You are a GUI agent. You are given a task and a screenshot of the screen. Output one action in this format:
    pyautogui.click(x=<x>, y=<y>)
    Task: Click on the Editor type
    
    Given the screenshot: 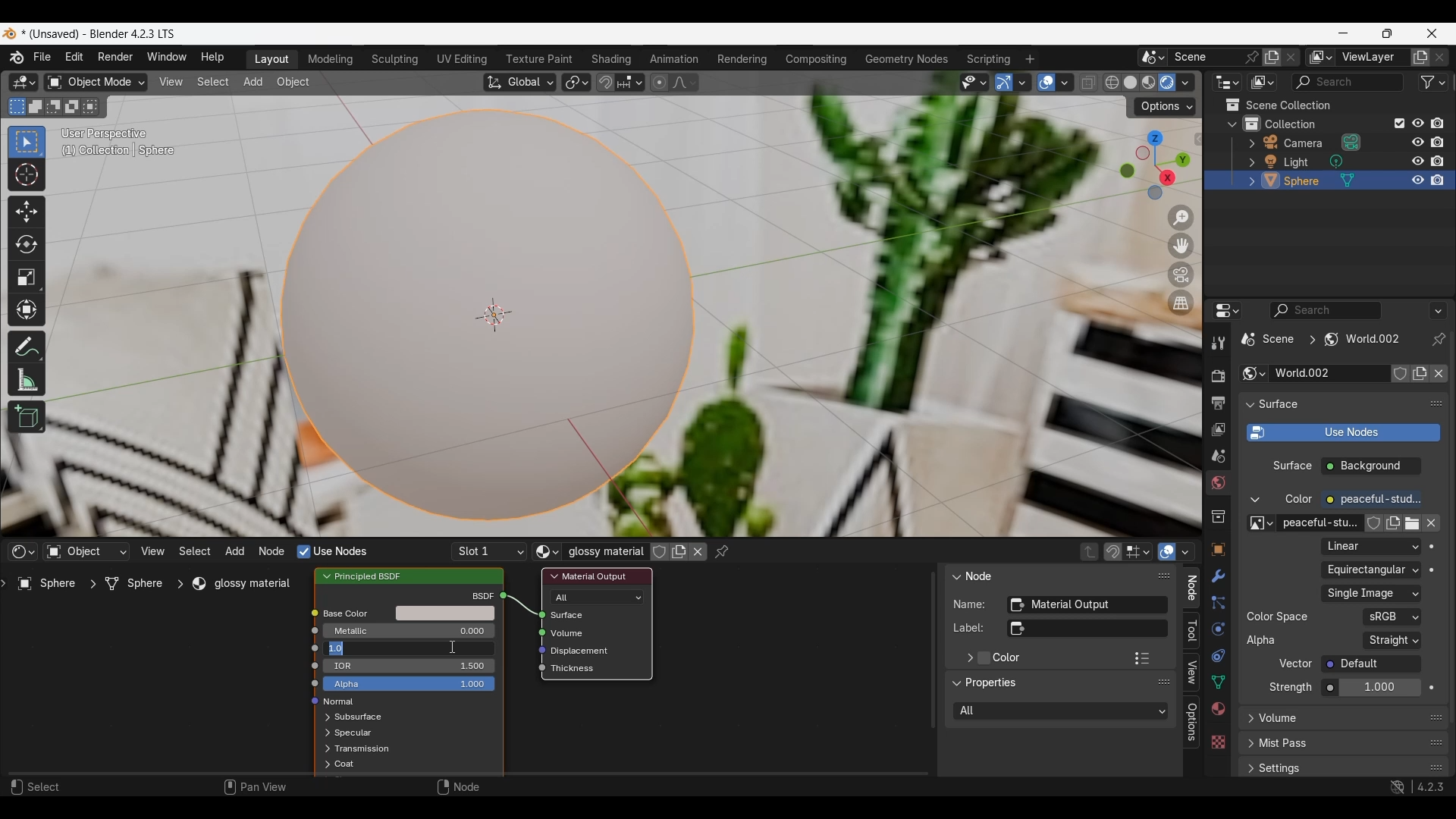 What is the action you would take?
    pyautogui.click(x=1228, y=82)
    